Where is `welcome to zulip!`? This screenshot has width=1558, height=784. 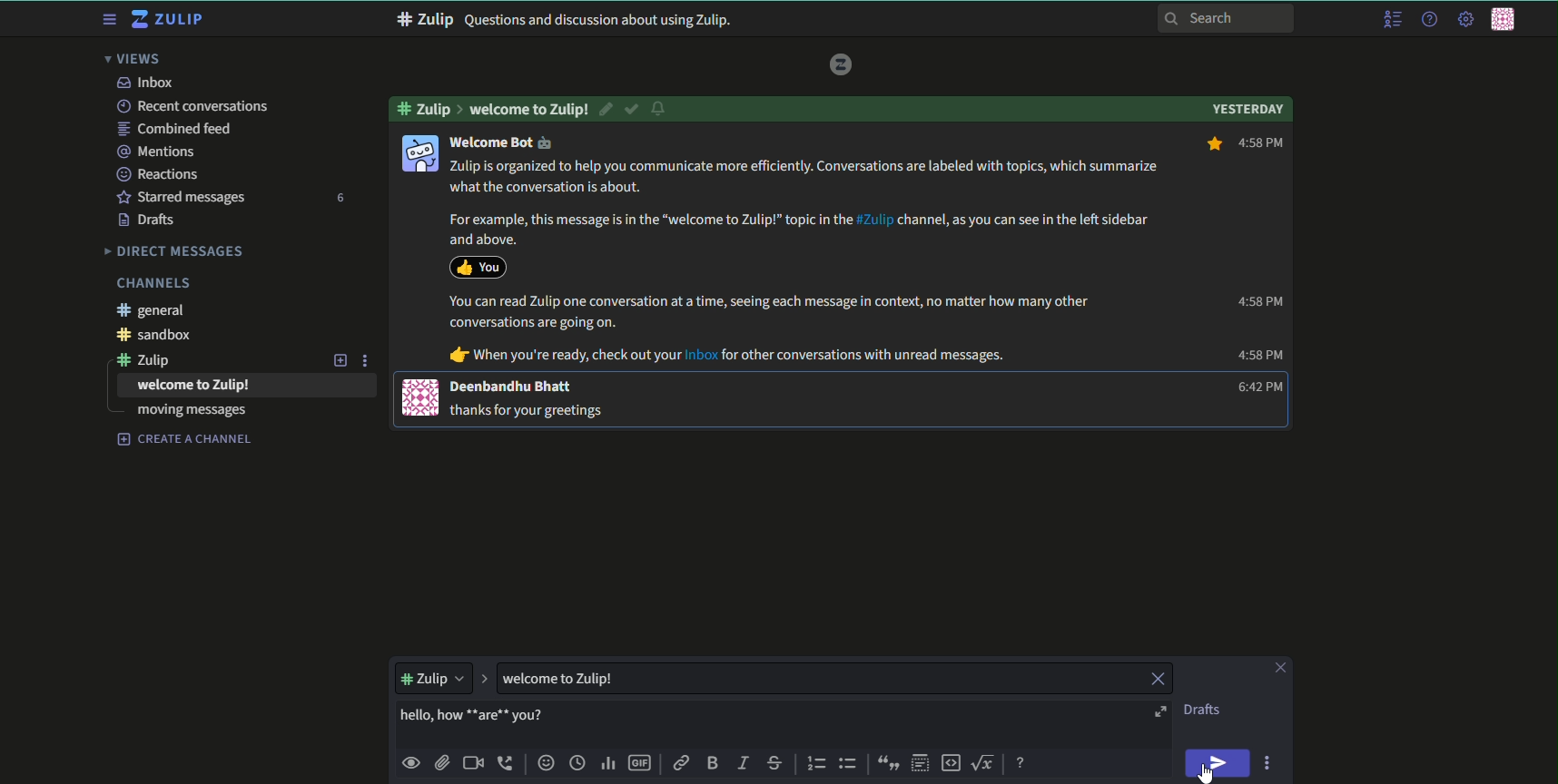 welcome to zulip! is located at coordinates (529, 109).